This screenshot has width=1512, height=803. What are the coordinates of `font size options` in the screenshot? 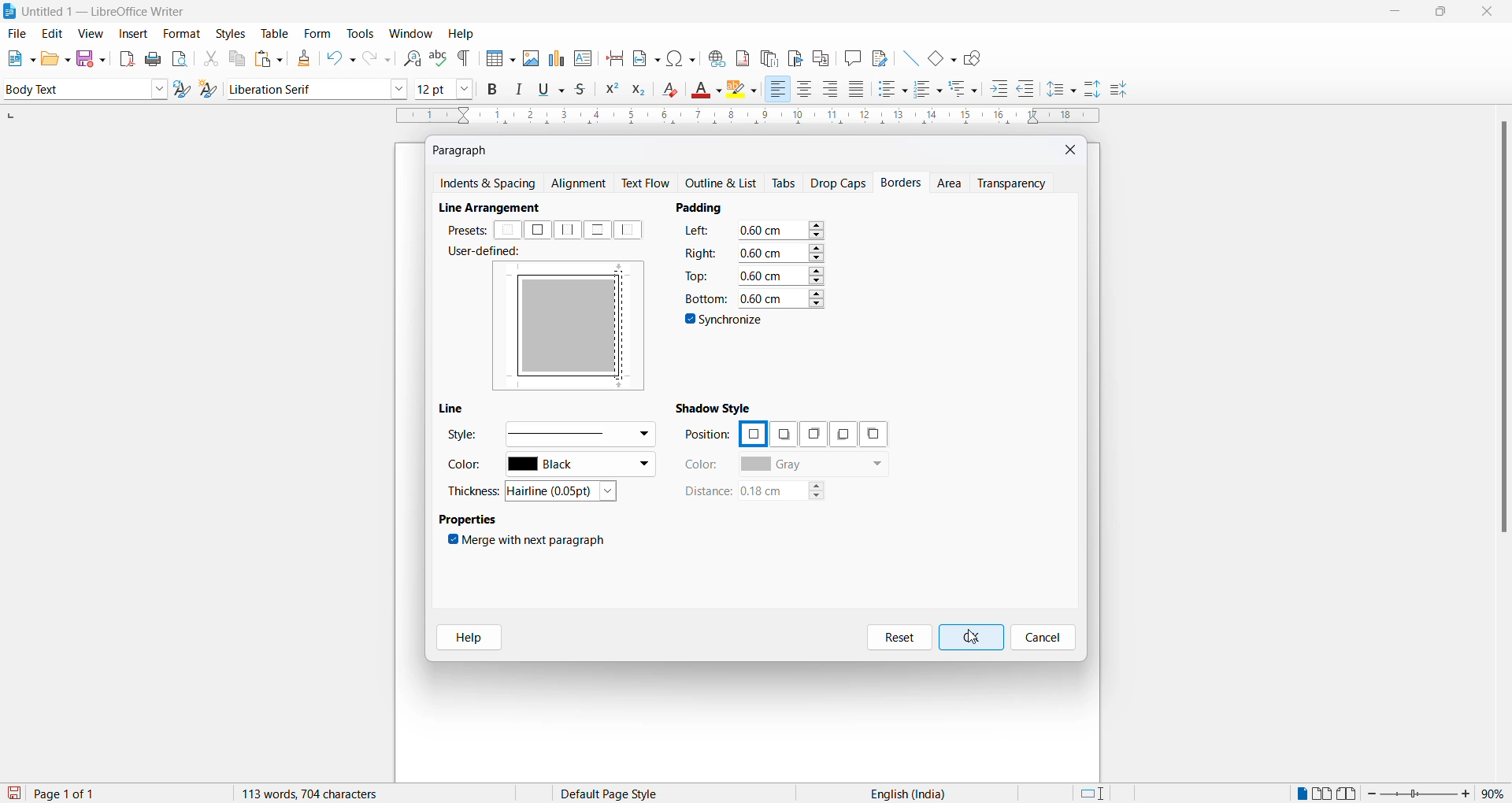 It's located at (465, 88).